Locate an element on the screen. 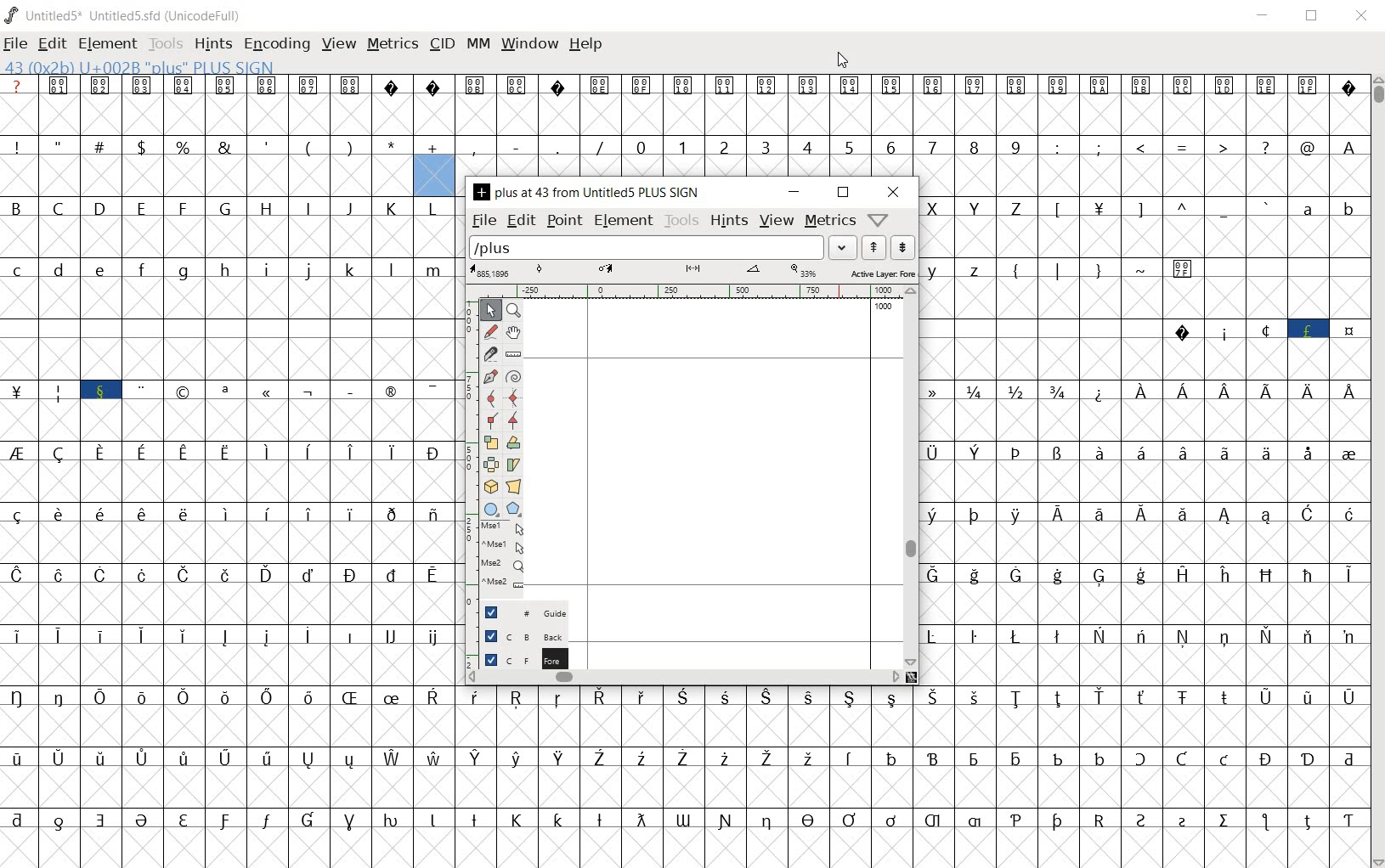 This screenshot has width=1385, height=868. help is located at coordinates (586, 45).